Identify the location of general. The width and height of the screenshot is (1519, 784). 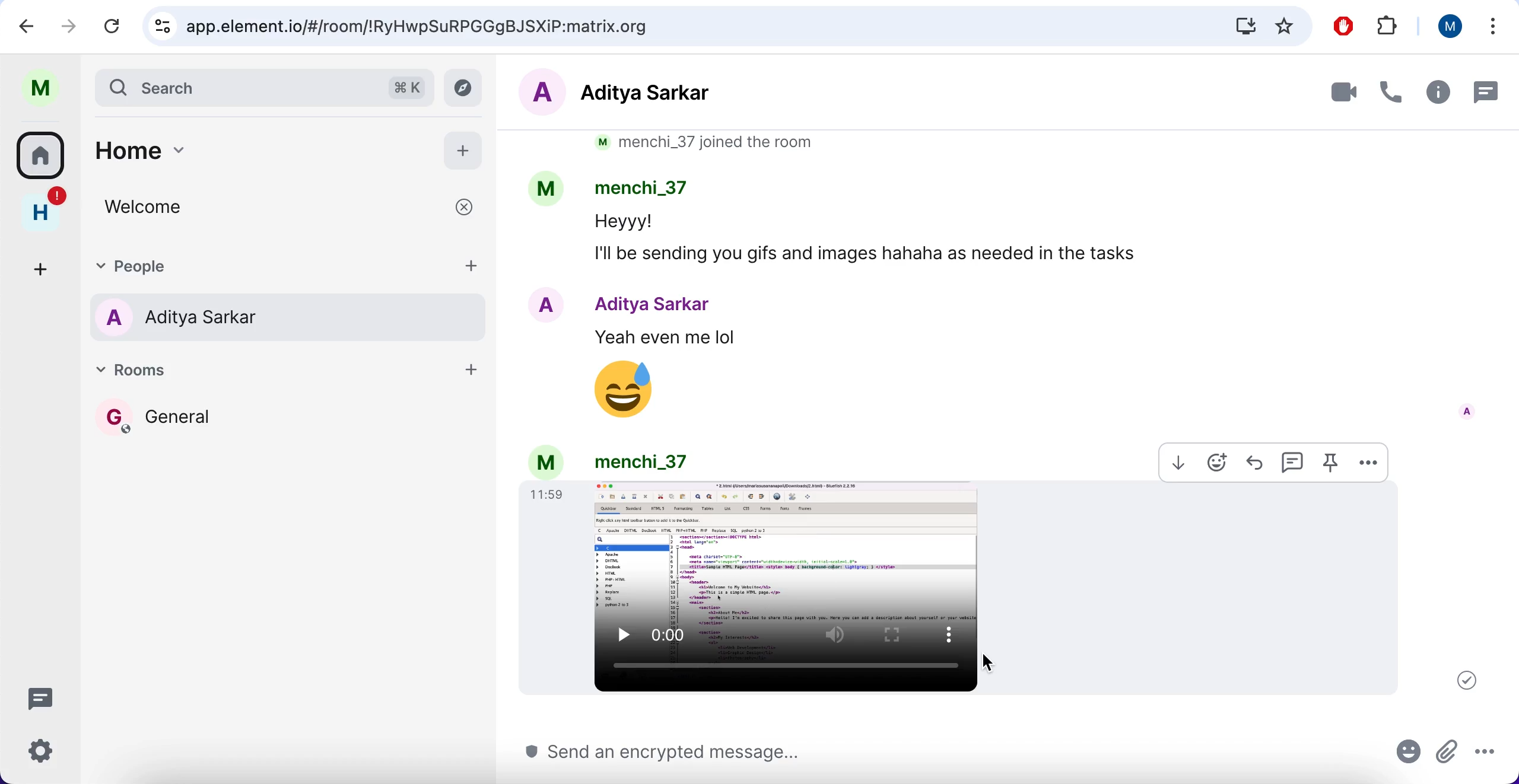
(182, 422).